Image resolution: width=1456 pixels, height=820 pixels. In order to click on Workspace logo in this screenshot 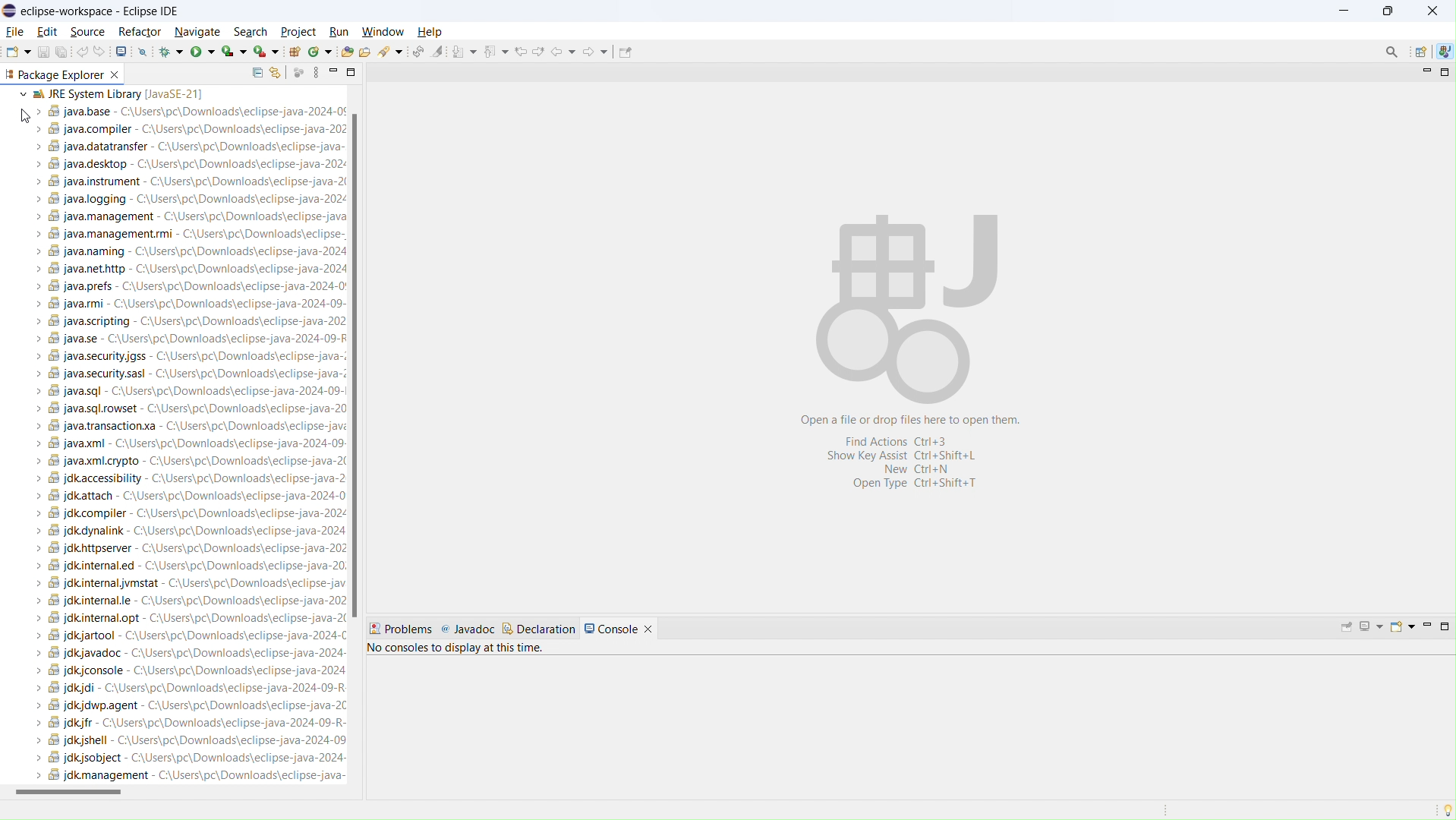, I will do `click(906, 306)`.